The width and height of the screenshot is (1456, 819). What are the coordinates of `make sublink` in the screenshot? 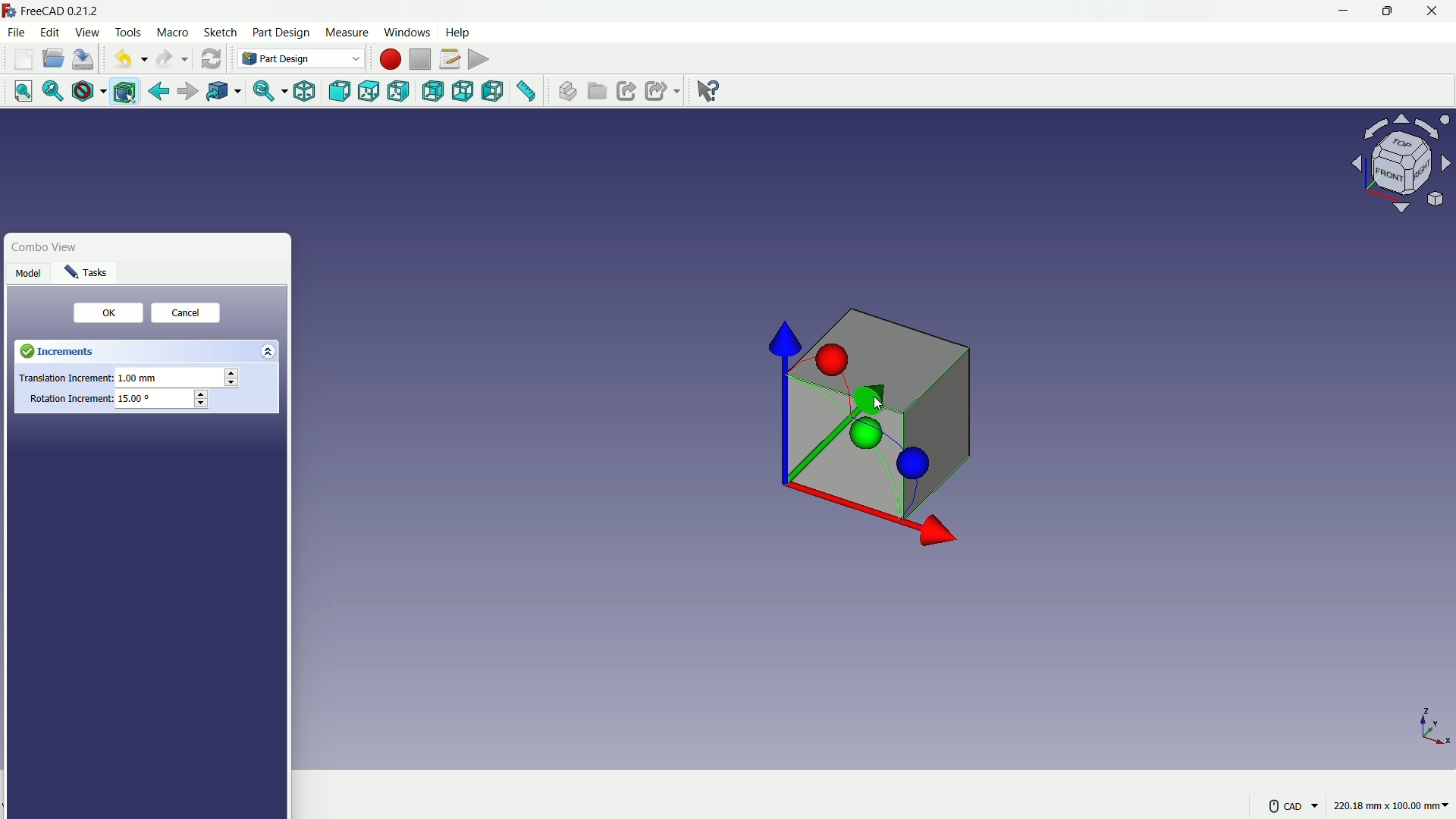 It's located at (663, 91).